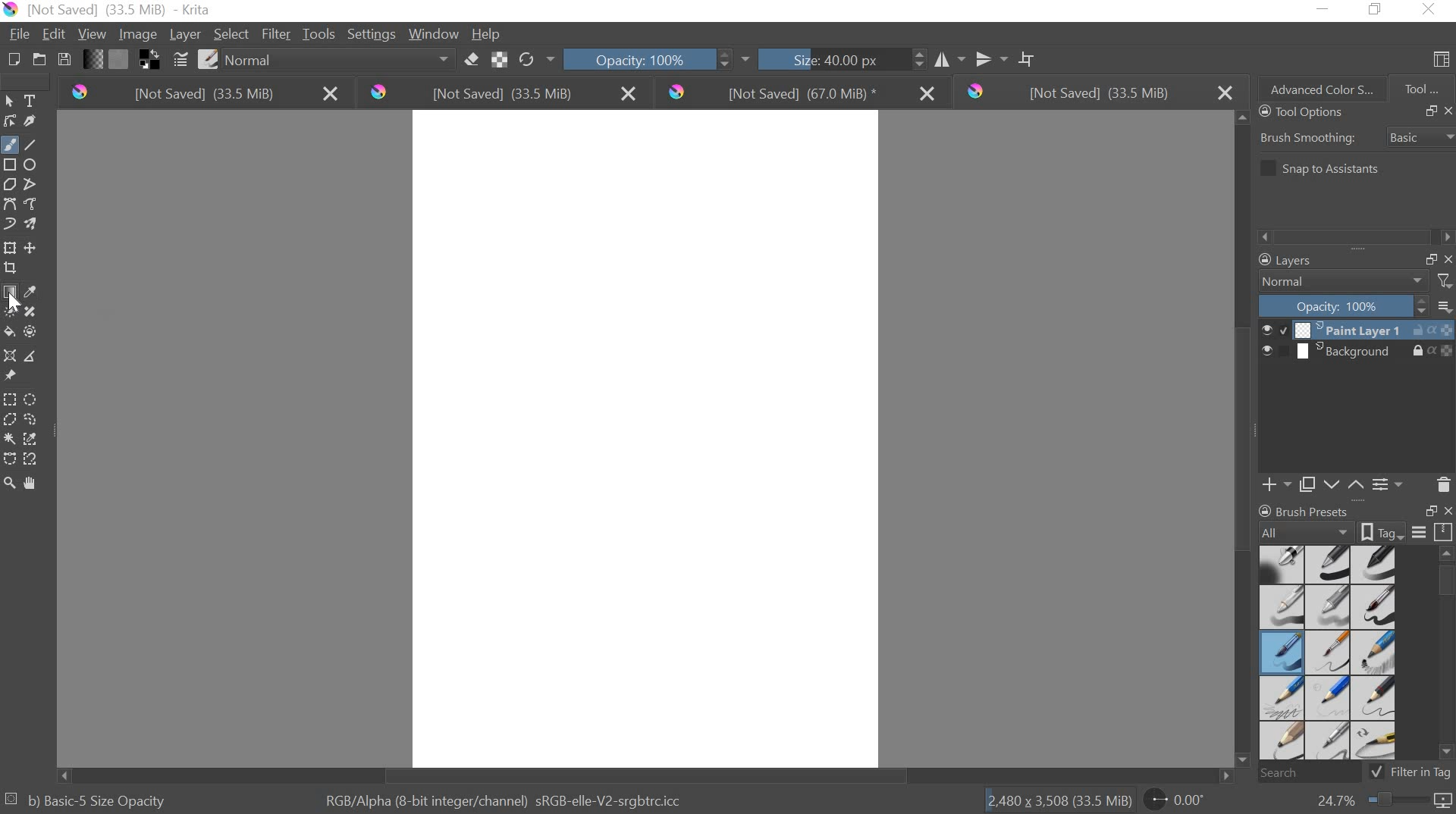  I want to click on OPEN AN EXISTING DOCUMENT, so click(36, 61).